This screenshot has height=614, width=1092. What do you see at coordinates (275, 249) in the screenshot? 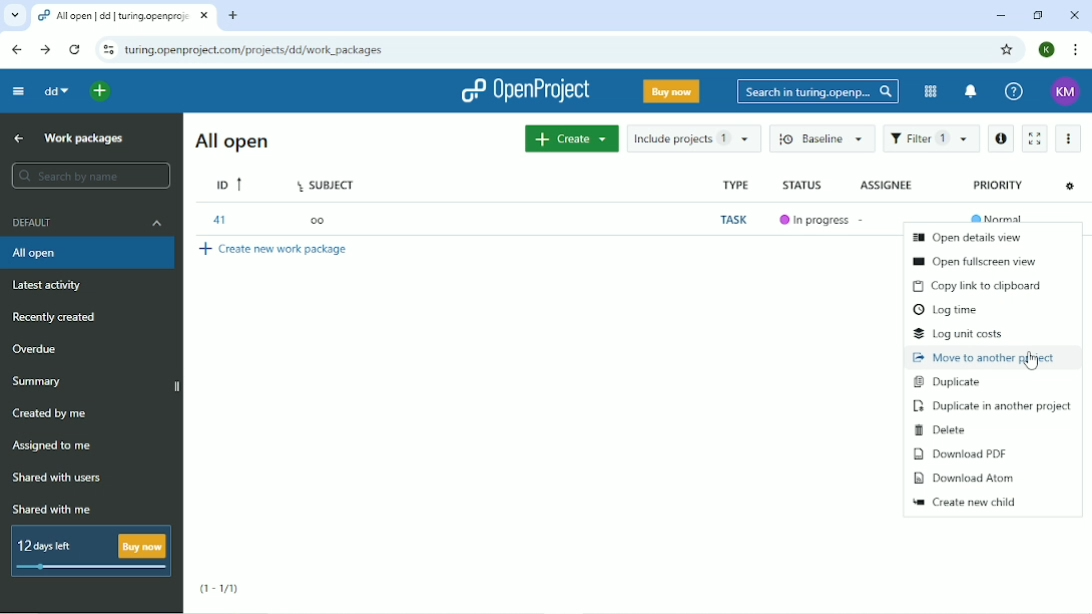
I see `Create new work package` at bounding box center [275, 249].